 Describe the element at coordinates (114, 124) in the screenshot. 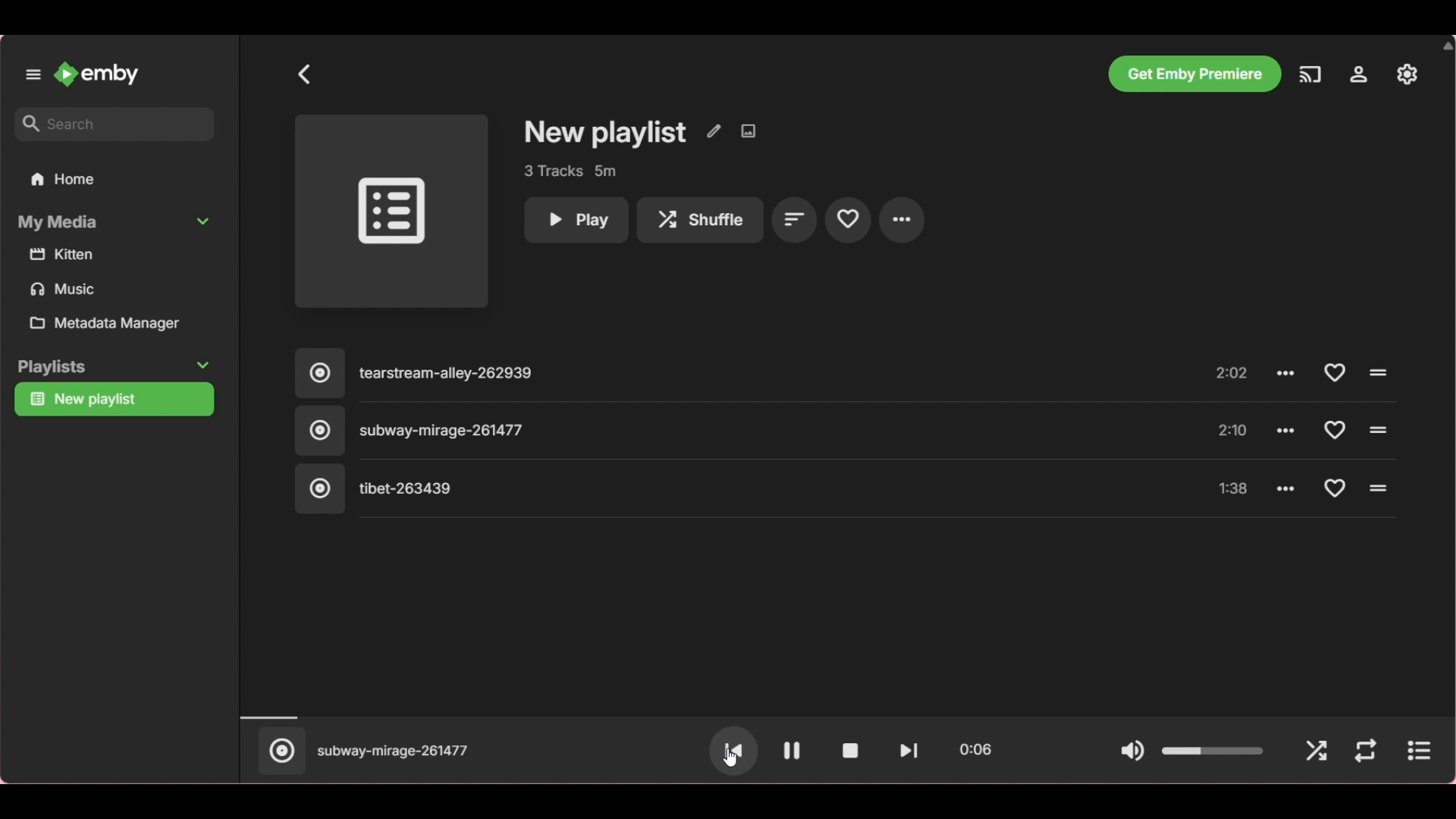

I see `Type in search` at that location.